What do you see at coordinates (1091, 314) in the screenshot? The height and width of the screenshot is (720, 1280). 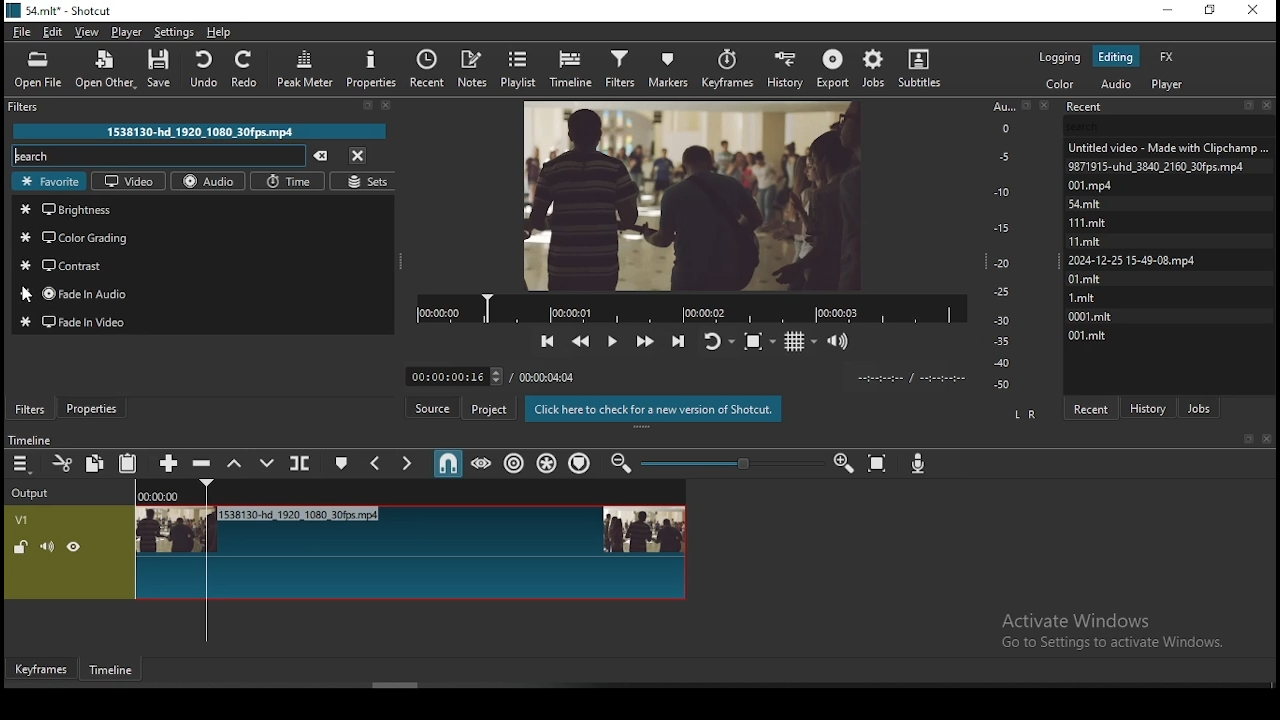 I see `0001.mit` at bounding box center [1091, 314].